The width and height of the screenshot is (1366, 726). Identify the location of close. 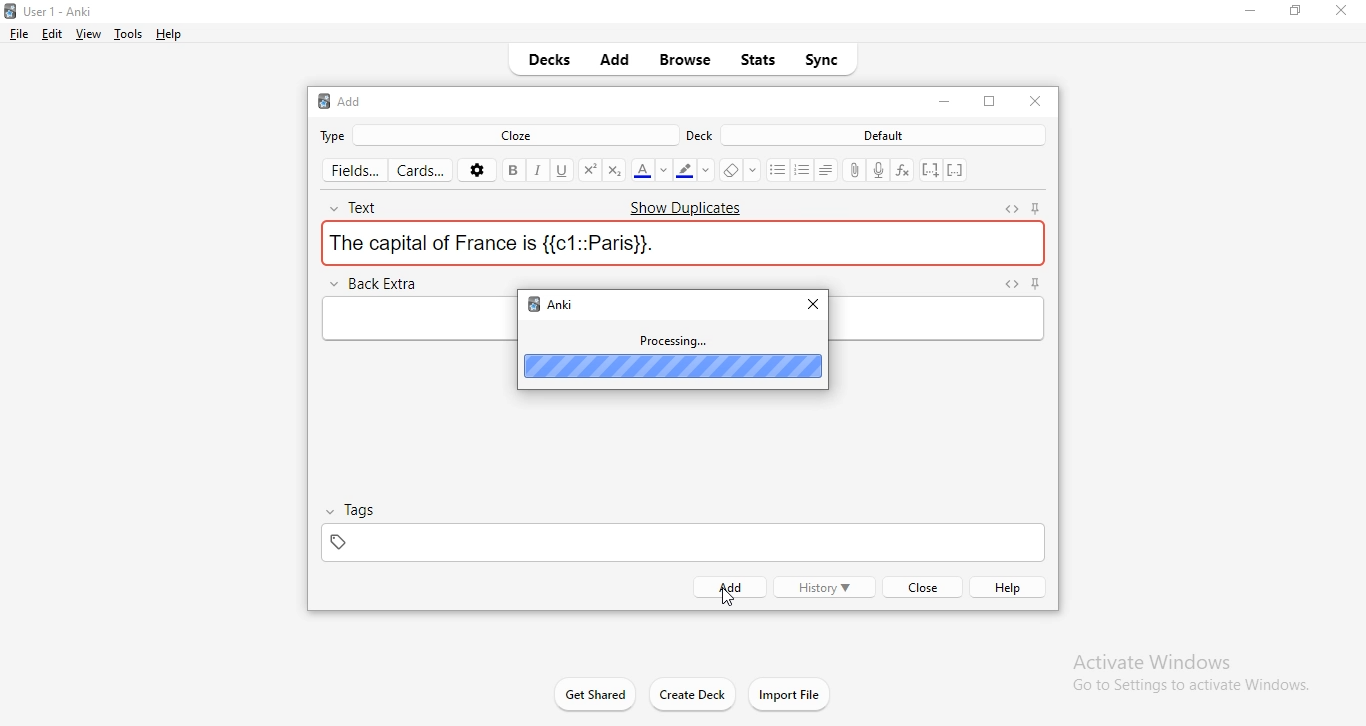
(813, 304).